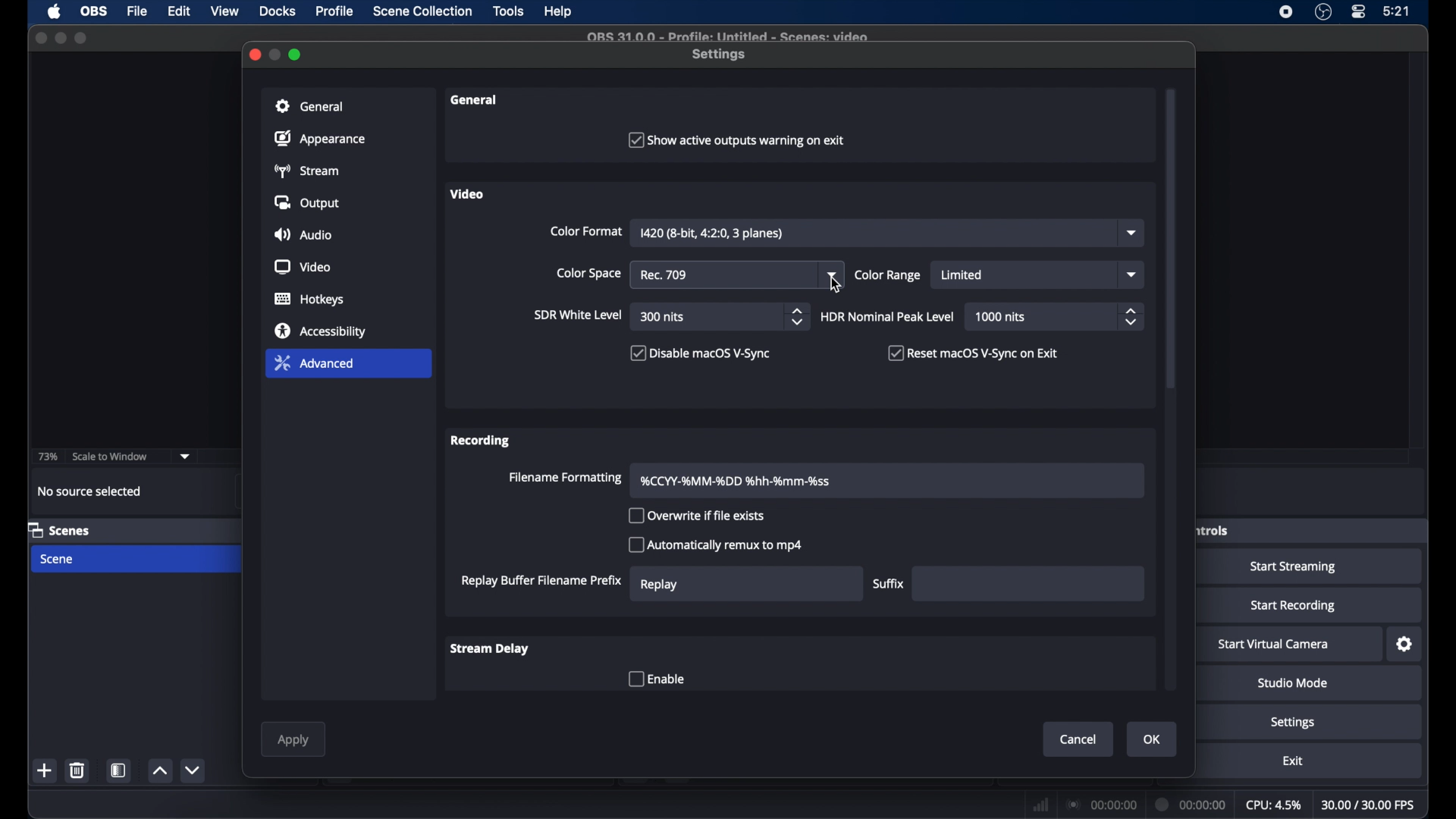  Describe the element at coordinates (579, 314) in the screenshot. I see `sir white level` at that location.